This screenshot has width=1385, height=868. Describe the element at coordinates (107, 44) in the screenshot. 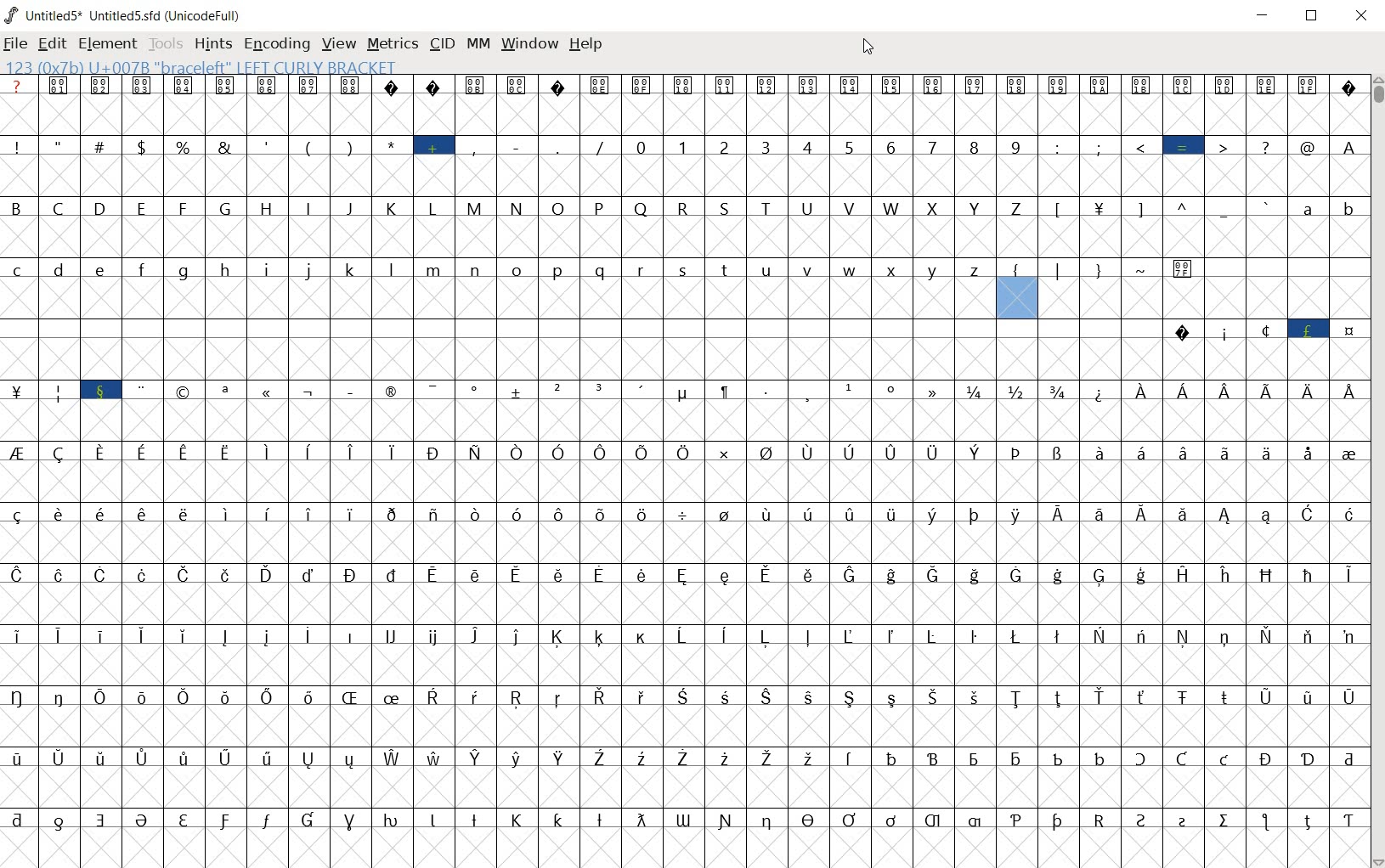

I see `element` at that location.